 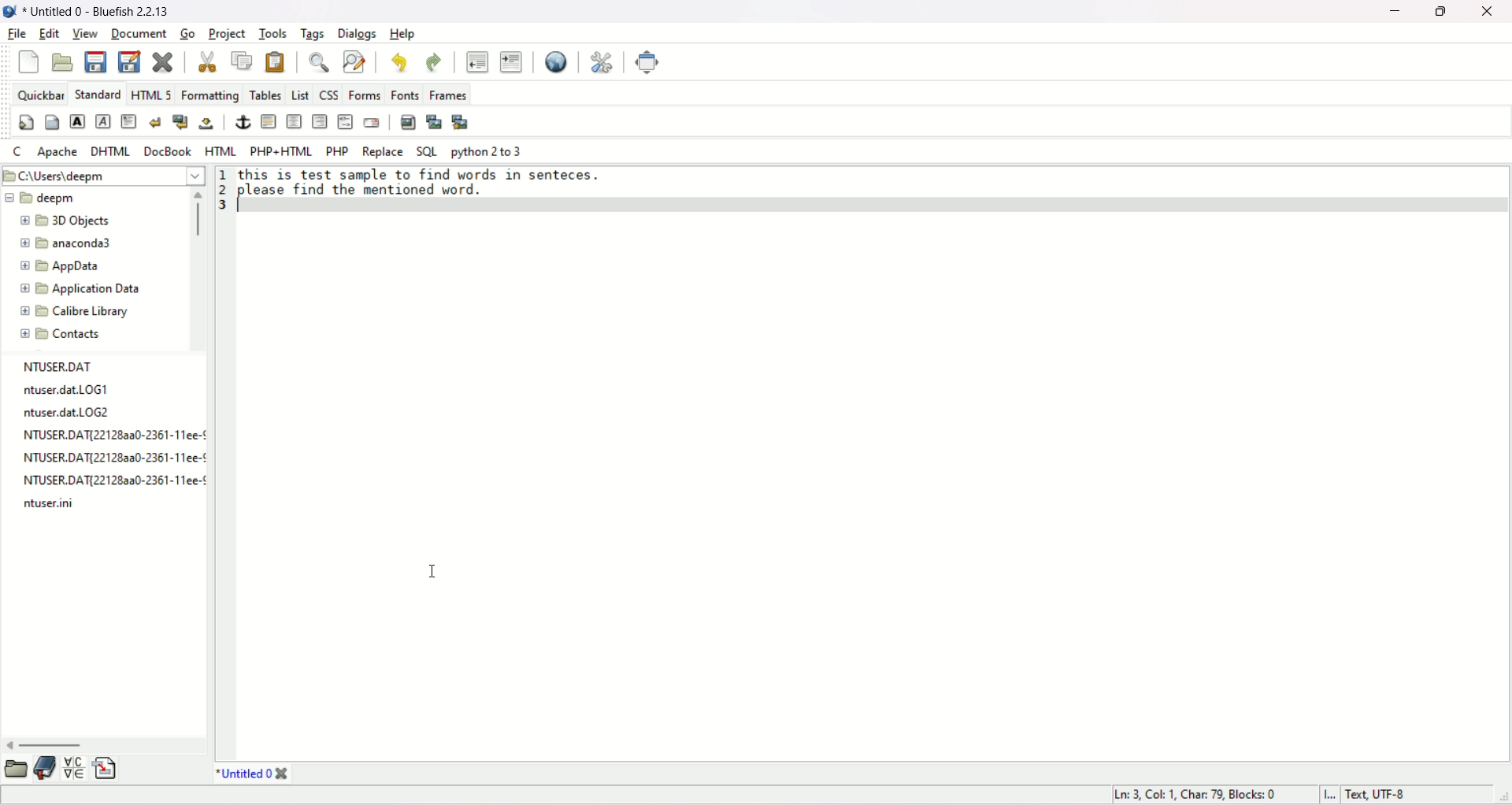 What do you see at coordinates (419, 173) in the screenshot?
I see `this is test sample to find words in sentences` at bounding box center [419, 173].